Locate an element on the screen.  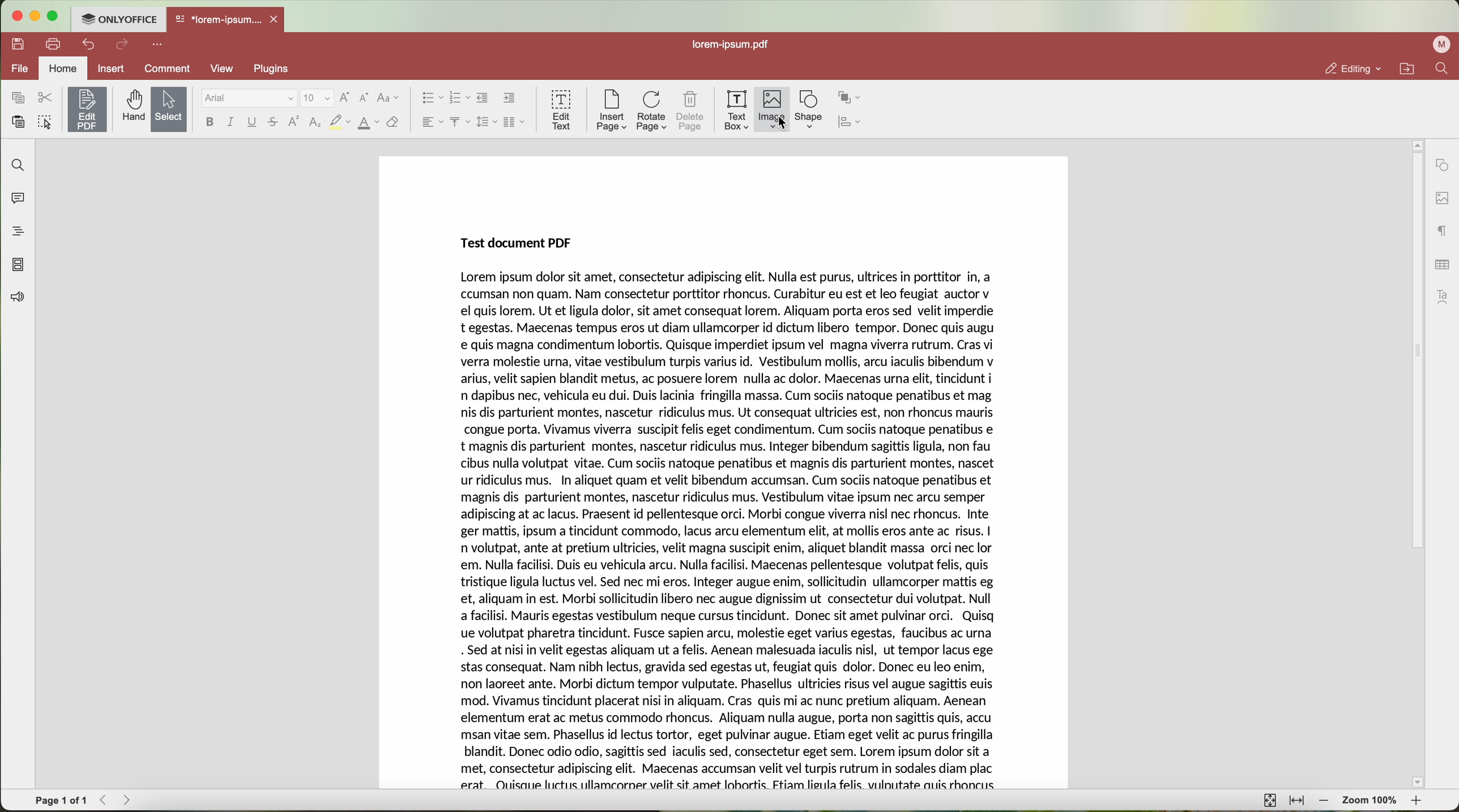
cursor is located at coordinates (787, 128).